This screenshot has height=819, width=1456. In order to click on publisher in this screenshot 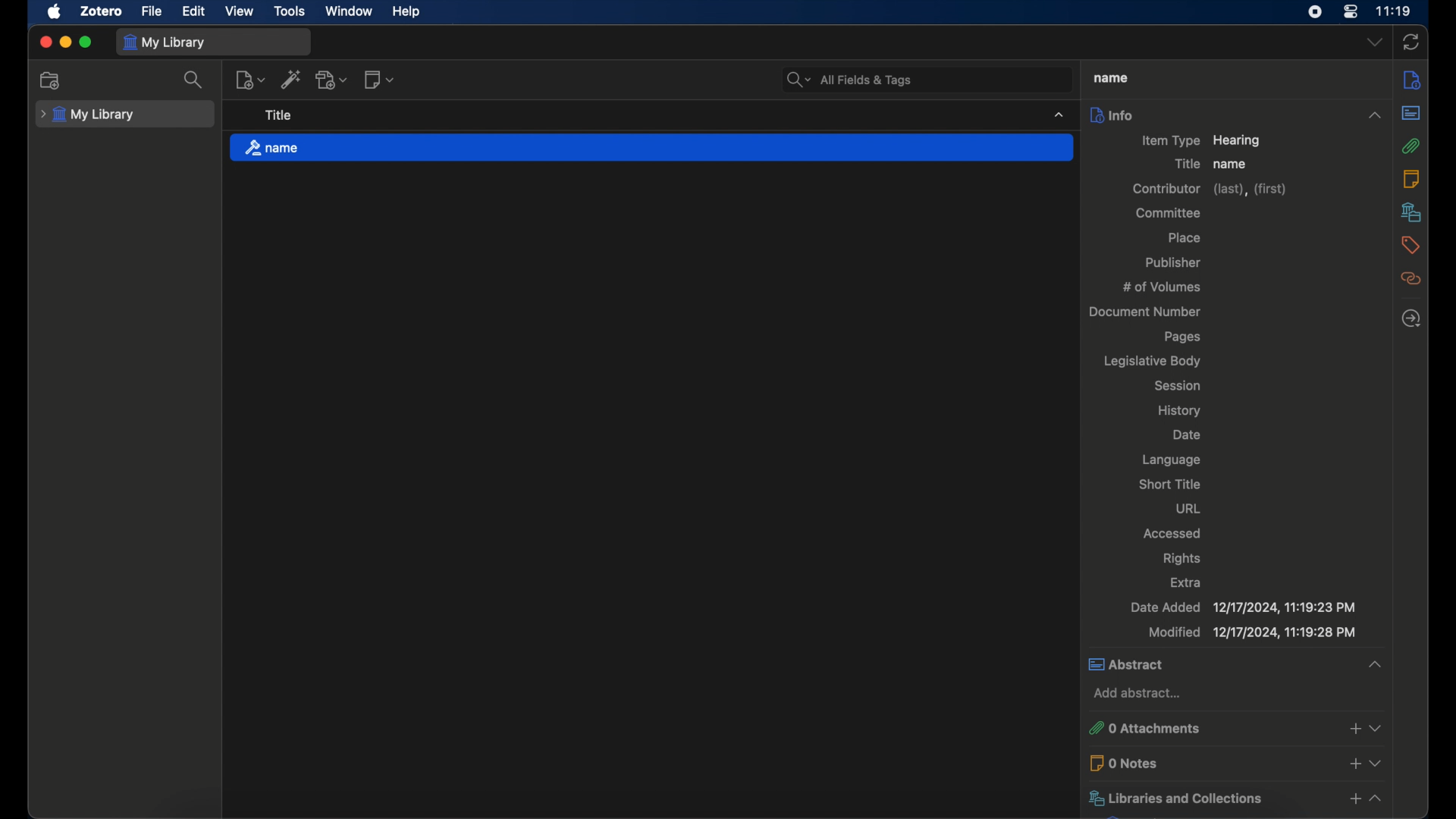, I will do `click(1175, 263)`.